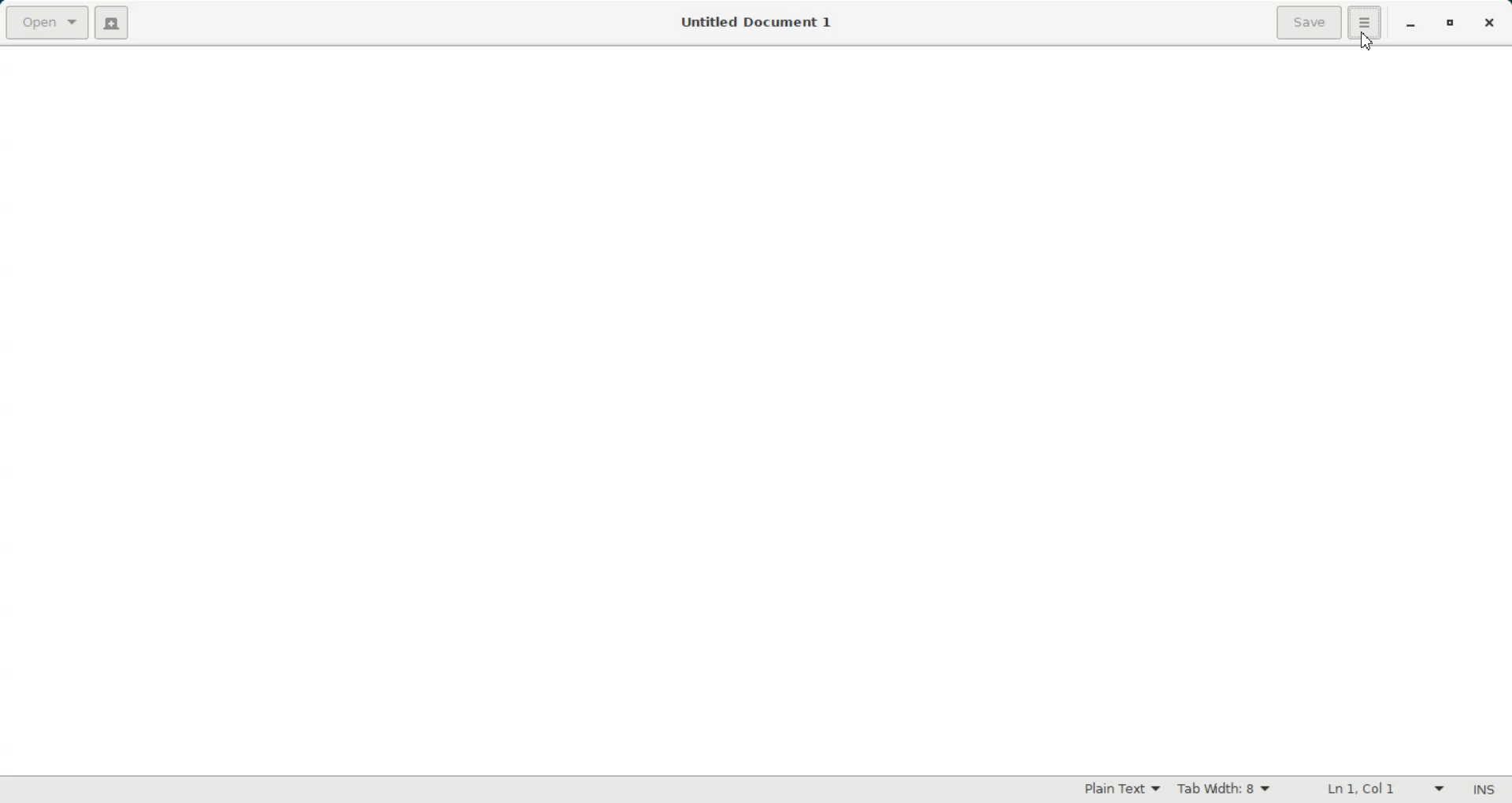  I want to click on Line Column, so click(1373, 790).